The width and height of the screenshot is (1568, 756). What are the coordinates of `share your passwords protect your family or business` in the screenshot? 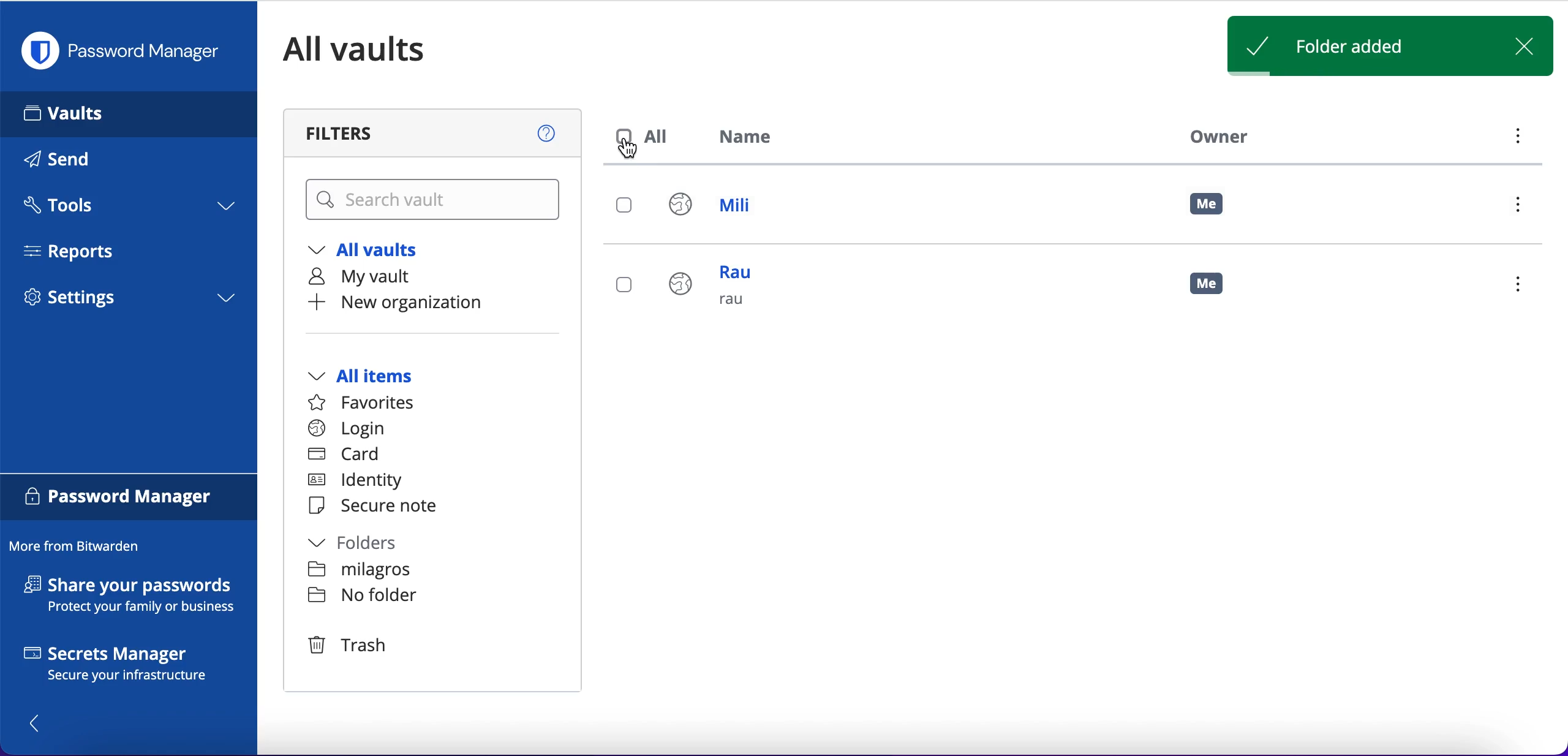 It's located at (136, 597).